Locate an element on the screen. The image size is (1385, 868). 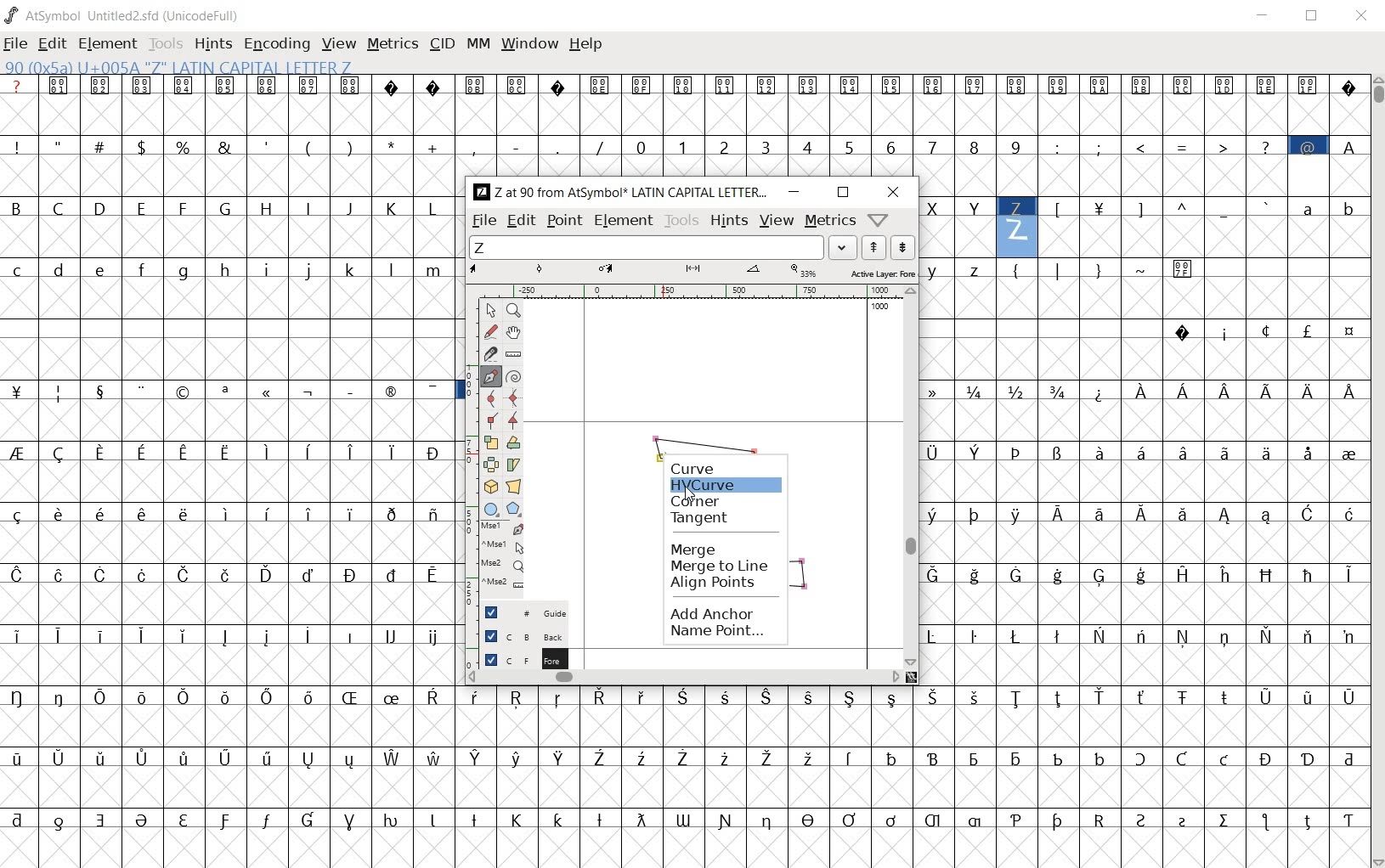
Guide is located at coordinates (517, 612).